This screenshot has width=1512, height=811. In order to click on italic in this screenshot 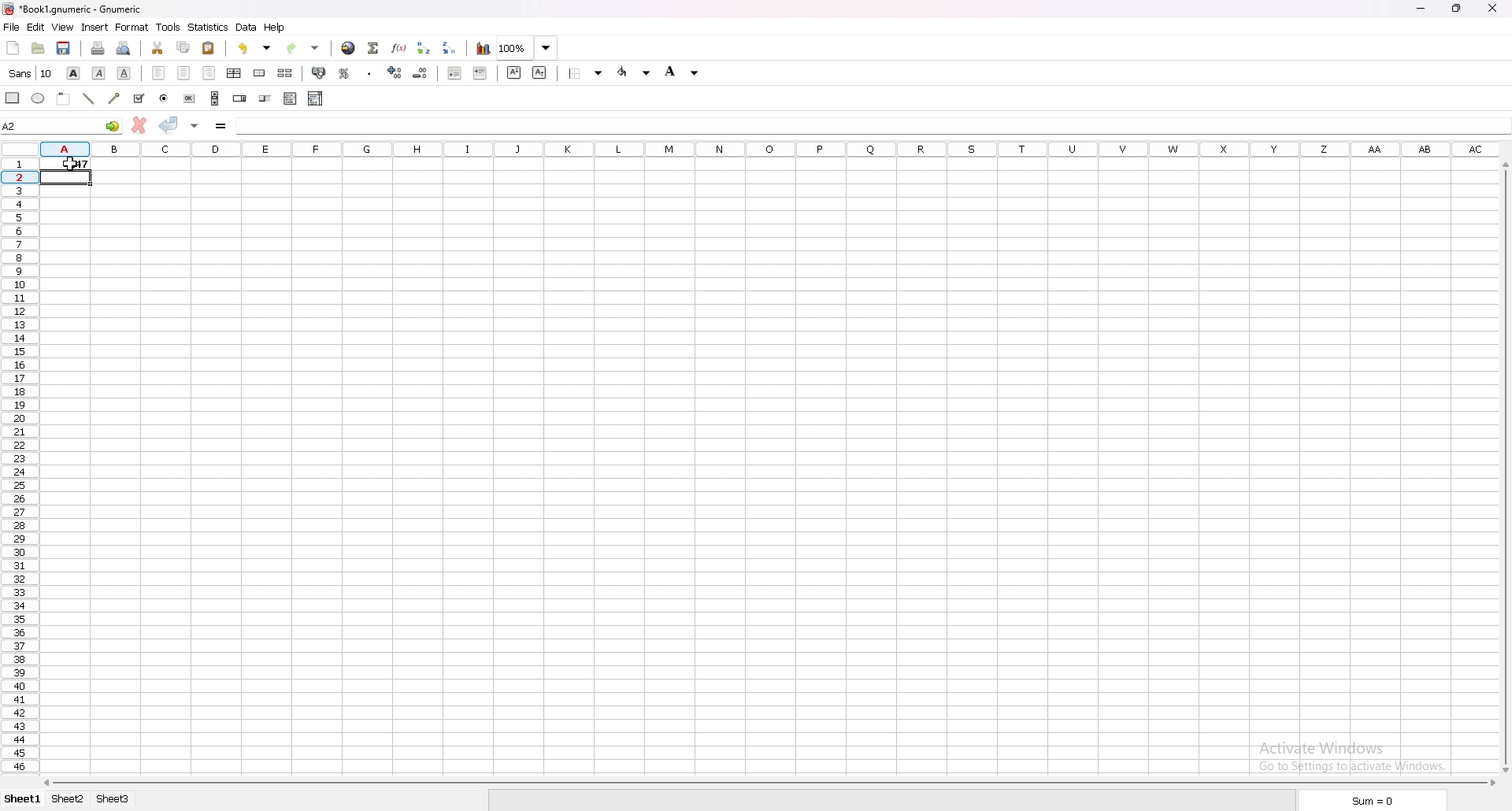, I will do `click(98, 73)`.